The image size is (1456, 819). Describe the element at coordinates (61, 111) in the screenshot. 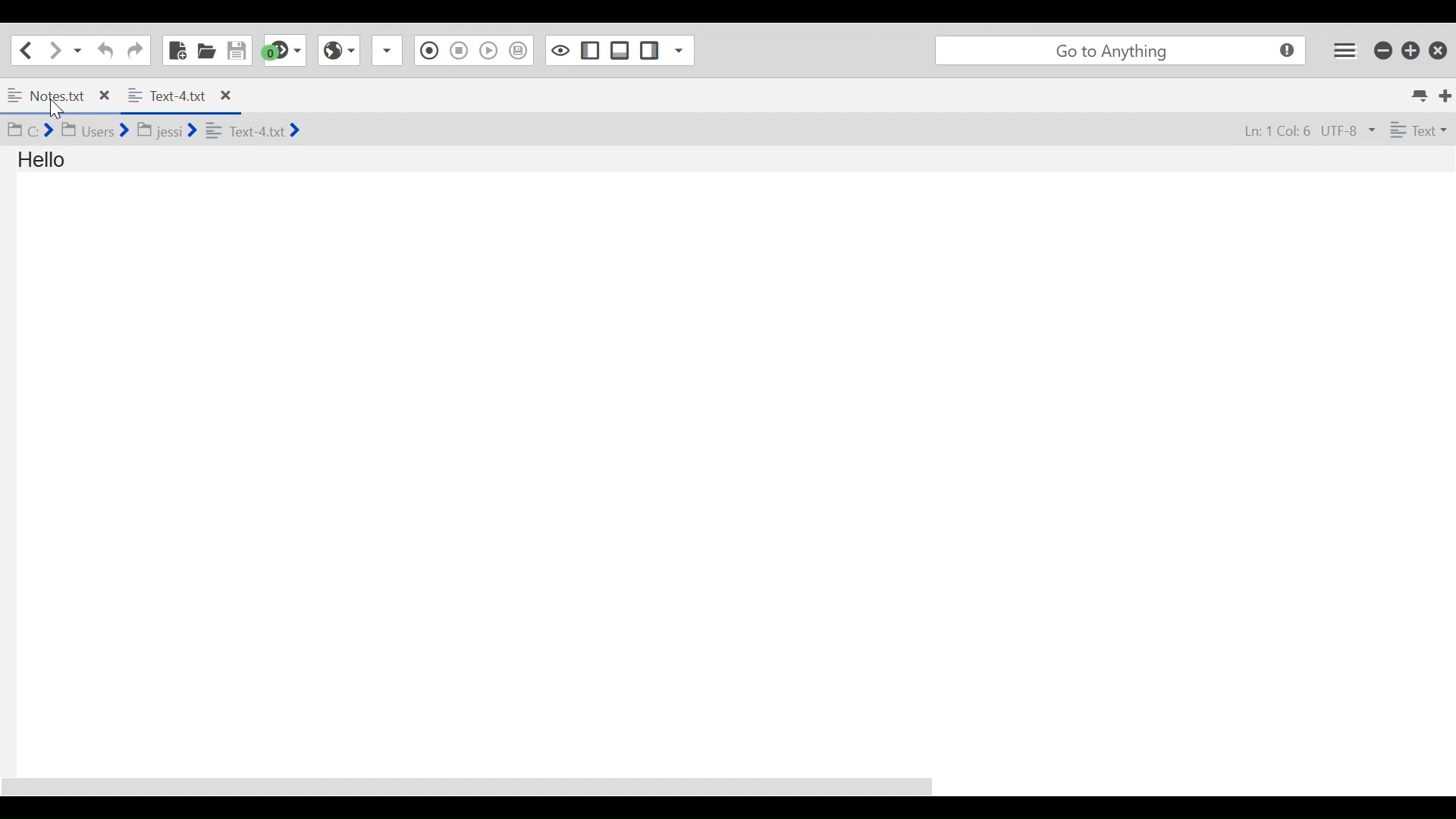

I see `Cursor` at that location.